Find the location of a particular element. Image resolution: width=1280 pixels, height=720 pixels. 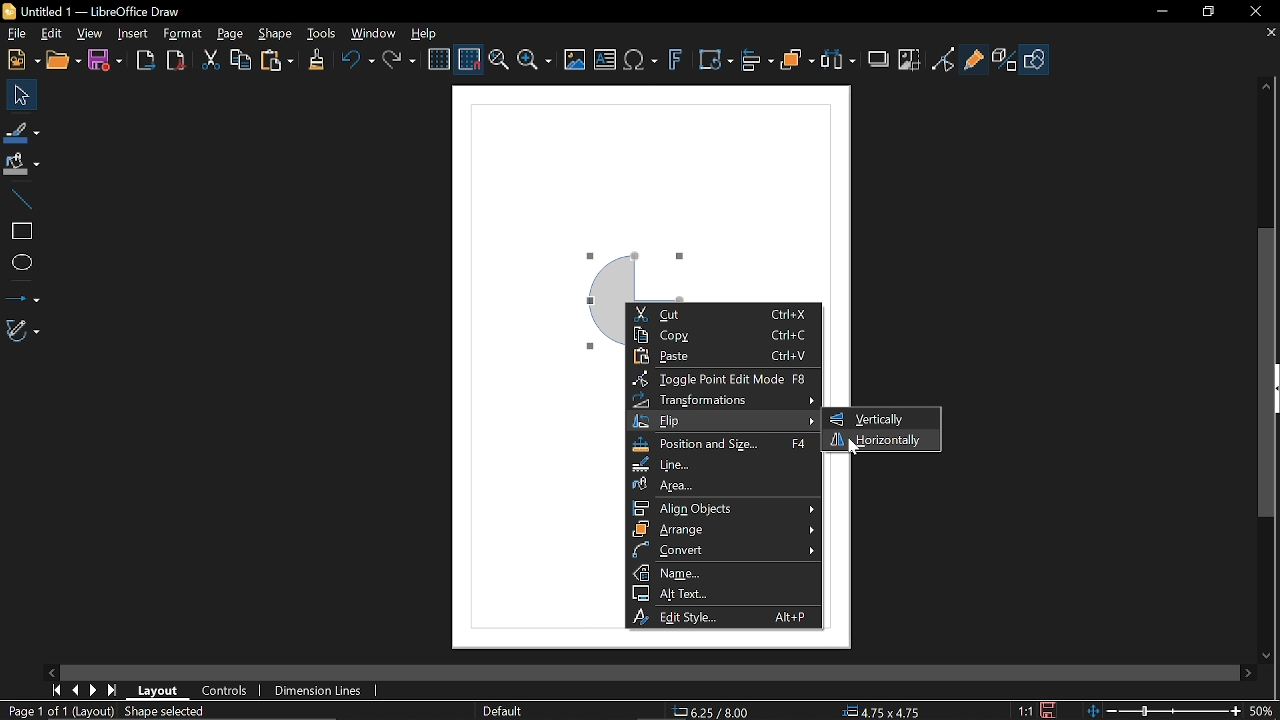

Objects is located at coordinates (797, 61).